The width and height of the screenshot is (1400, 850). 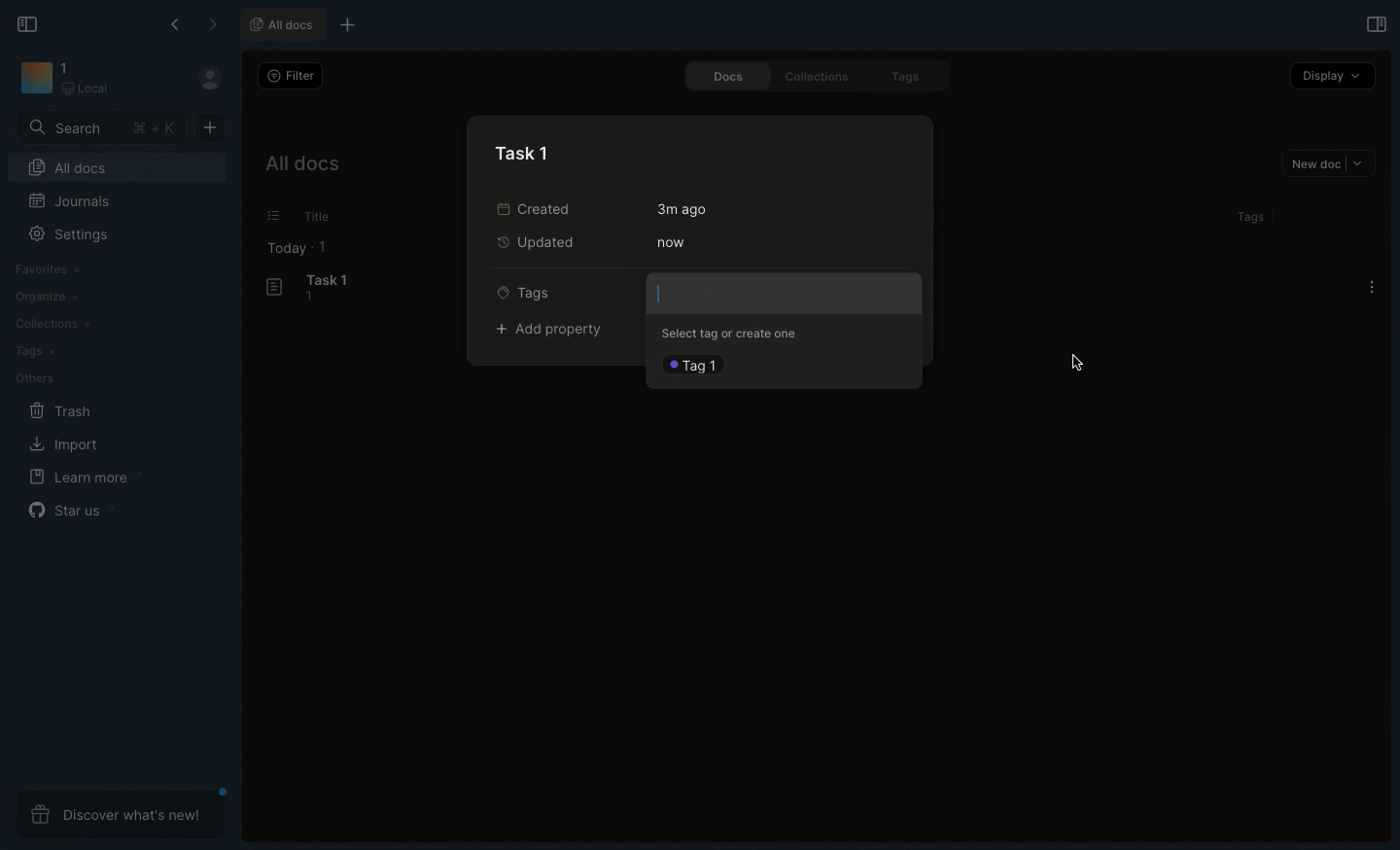 I want to click on now, so click(x=672, y=243).